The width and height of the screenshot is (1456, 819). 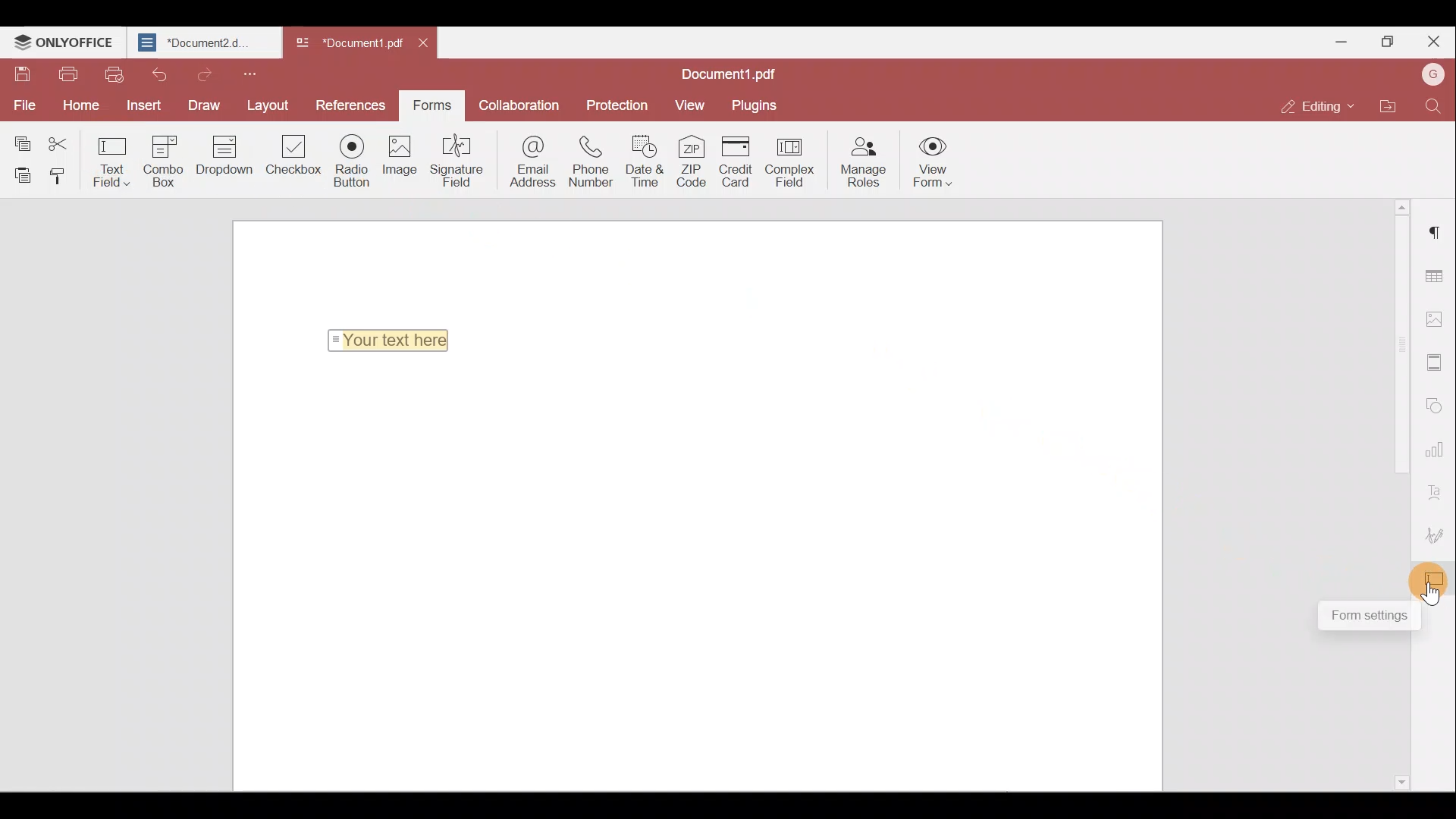 I want to click on Document1.pdf, so click(x=736, y=71).